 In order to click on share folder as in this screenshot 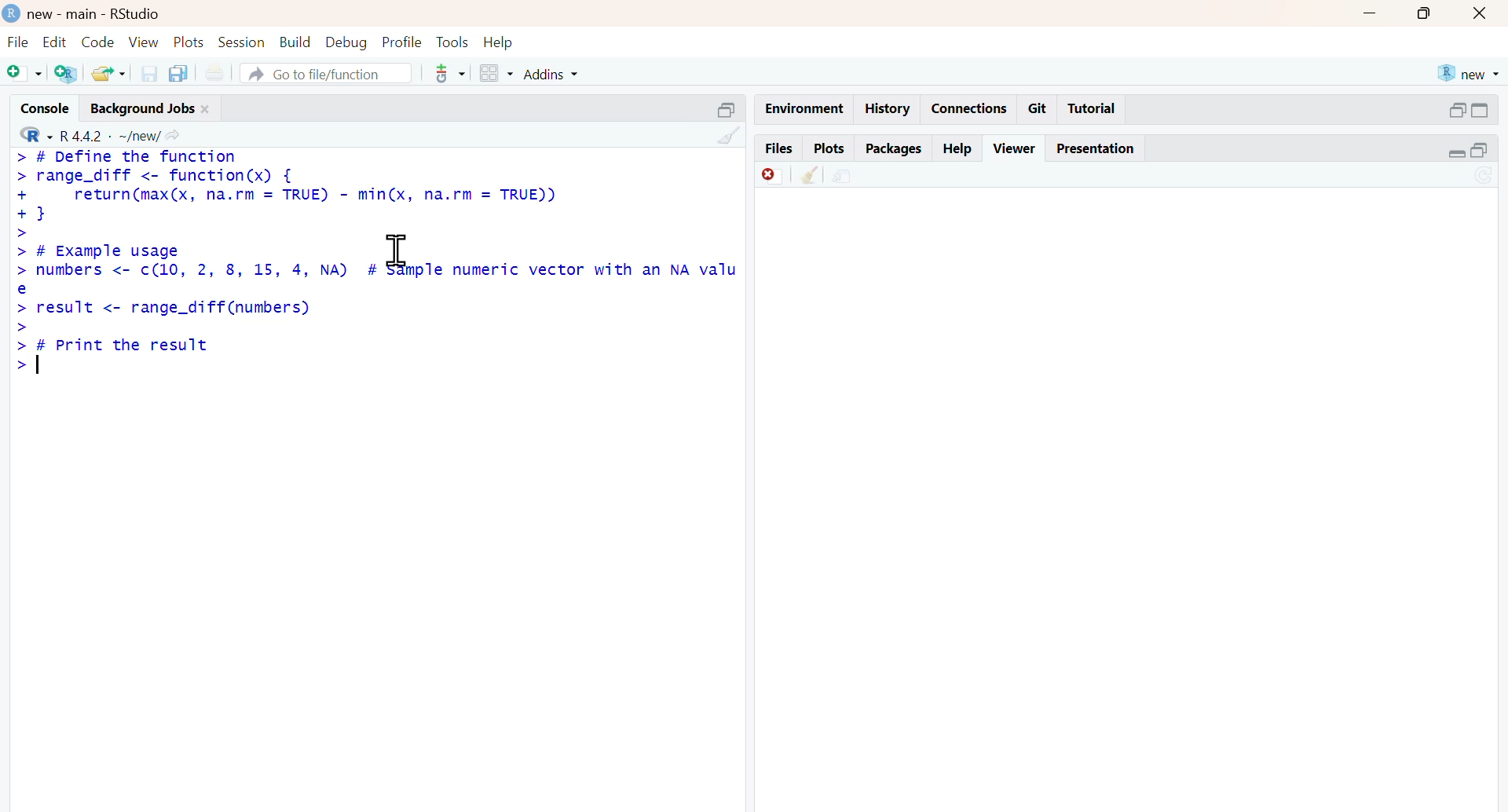, I will do `click(110, 73)`.